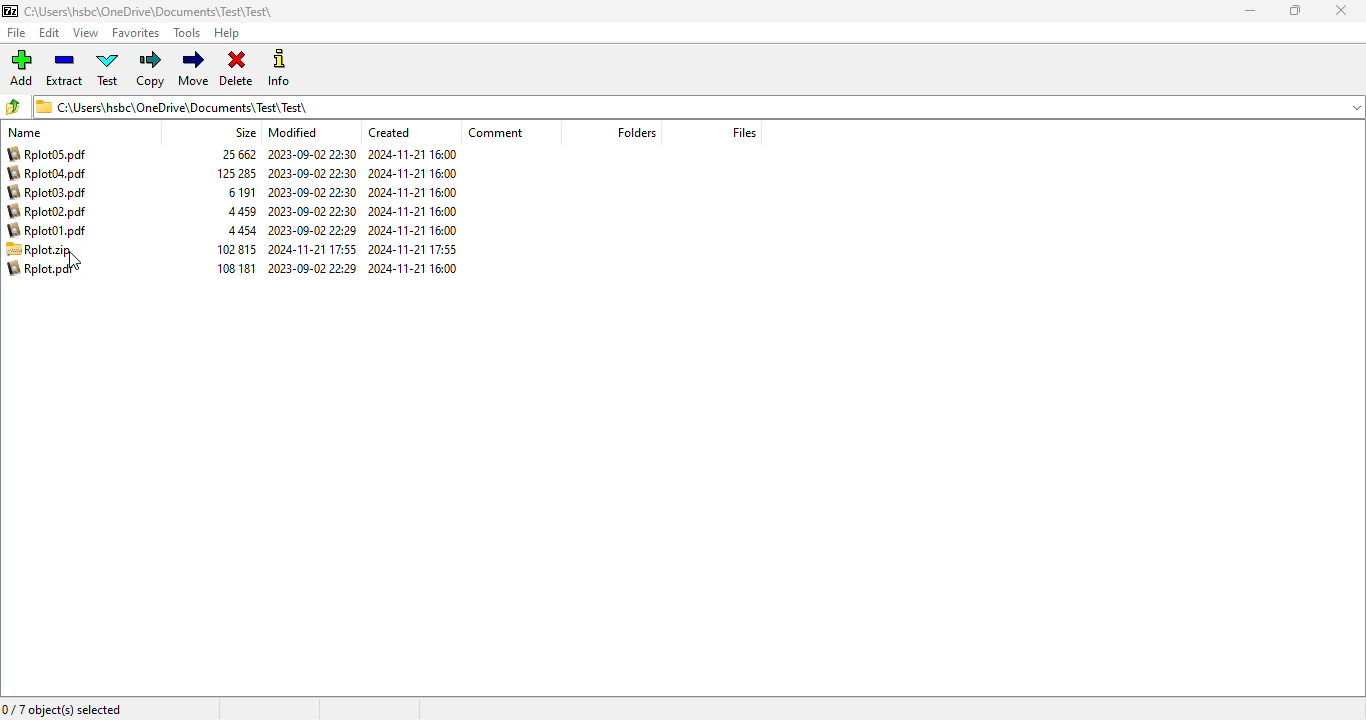 This screenshot has width=1366, height=720. What do you see at coordinates (293, 132) in the screenshot?
I see `modified` at bounding box center [293, 132].